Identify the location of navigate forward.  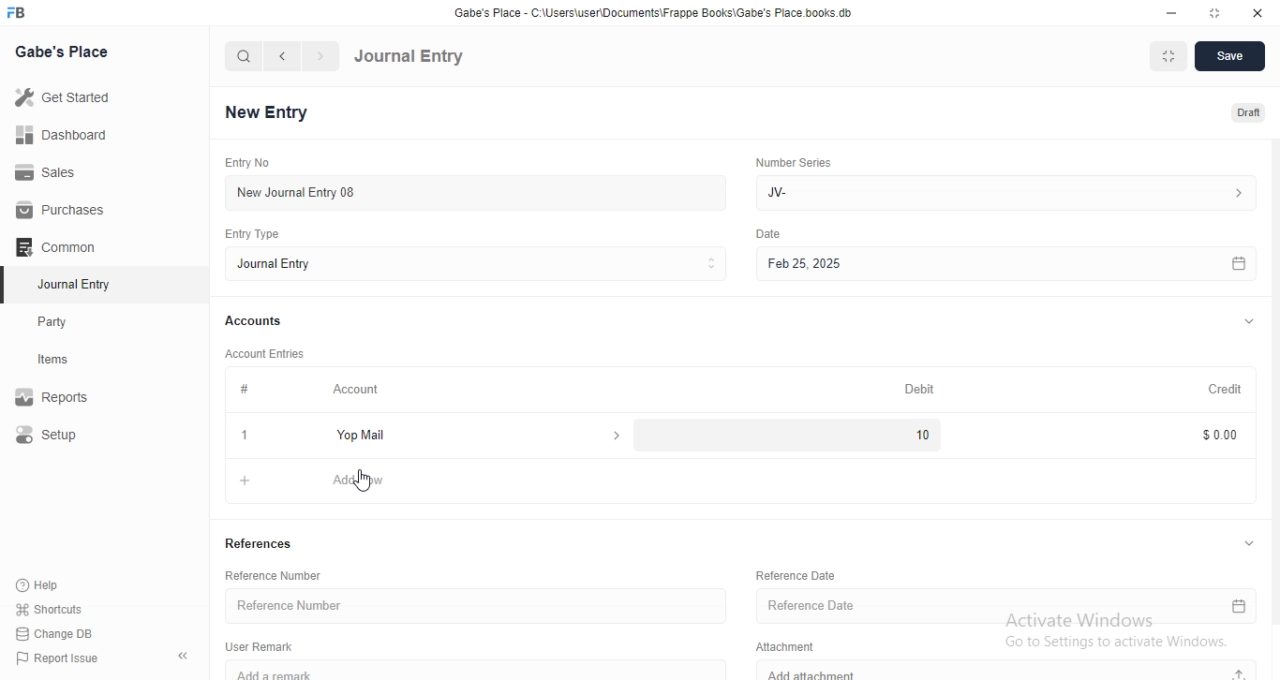
(321, 56).